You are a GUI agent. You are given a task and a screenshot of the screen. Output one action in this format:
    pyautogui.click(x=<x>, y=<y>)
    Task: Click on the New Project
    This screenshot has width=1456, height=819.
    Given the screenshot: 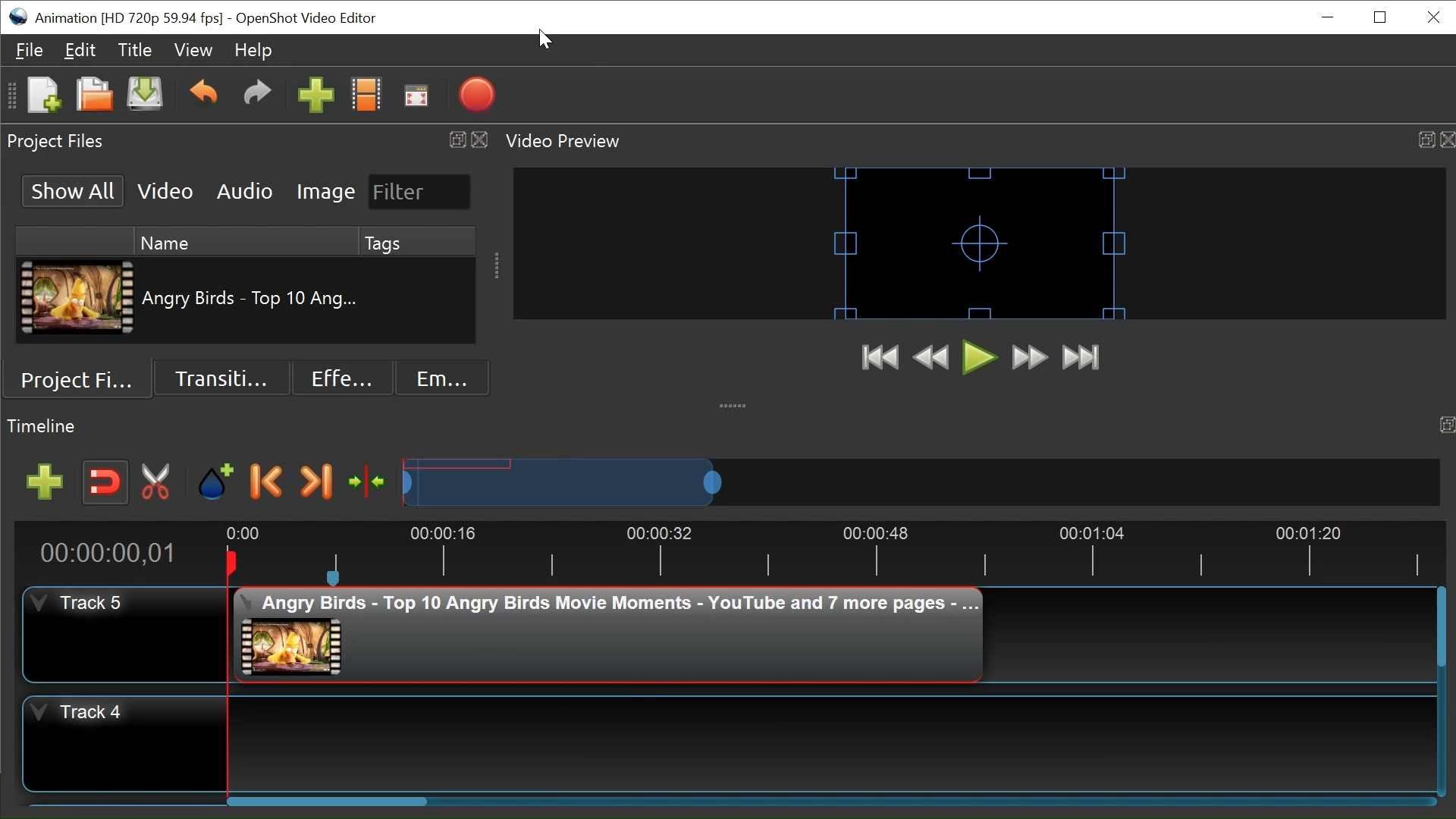 What is the action you would take?
    pyautogui.click(x=42, y=96)
    